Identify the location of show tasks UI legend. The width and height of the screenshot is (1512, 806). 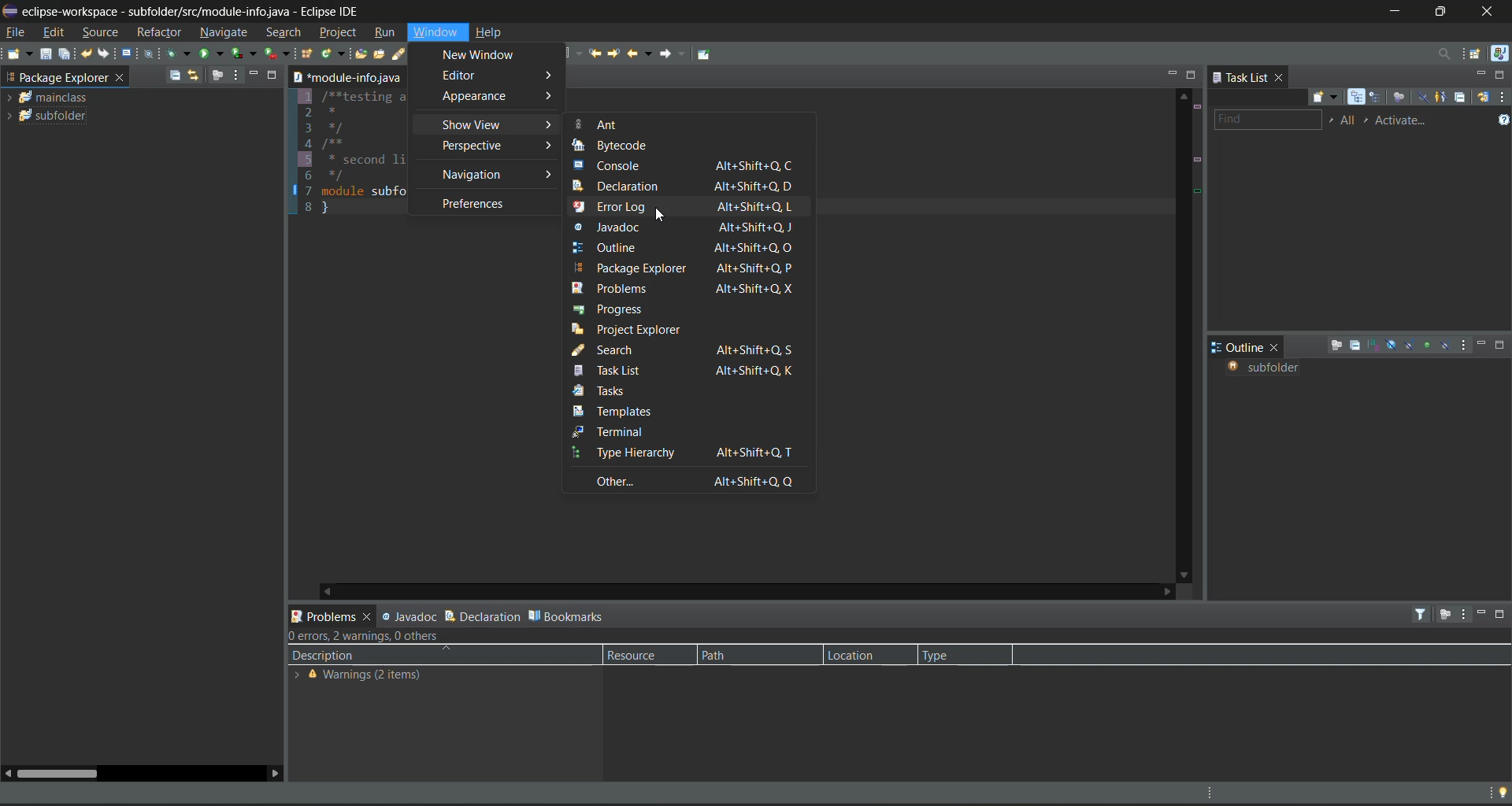
(1502, 119).